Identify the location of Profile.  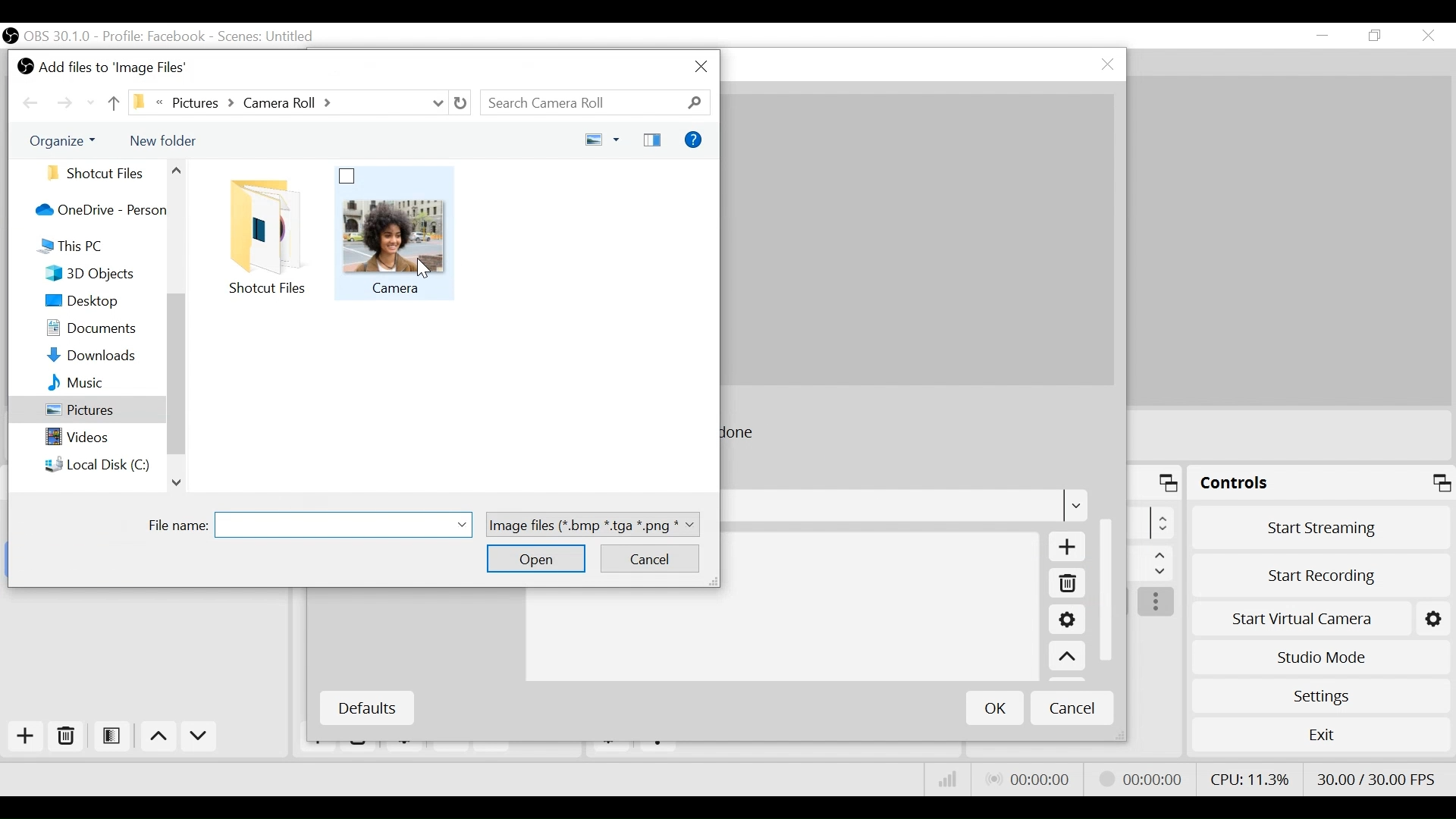
(154, 36).